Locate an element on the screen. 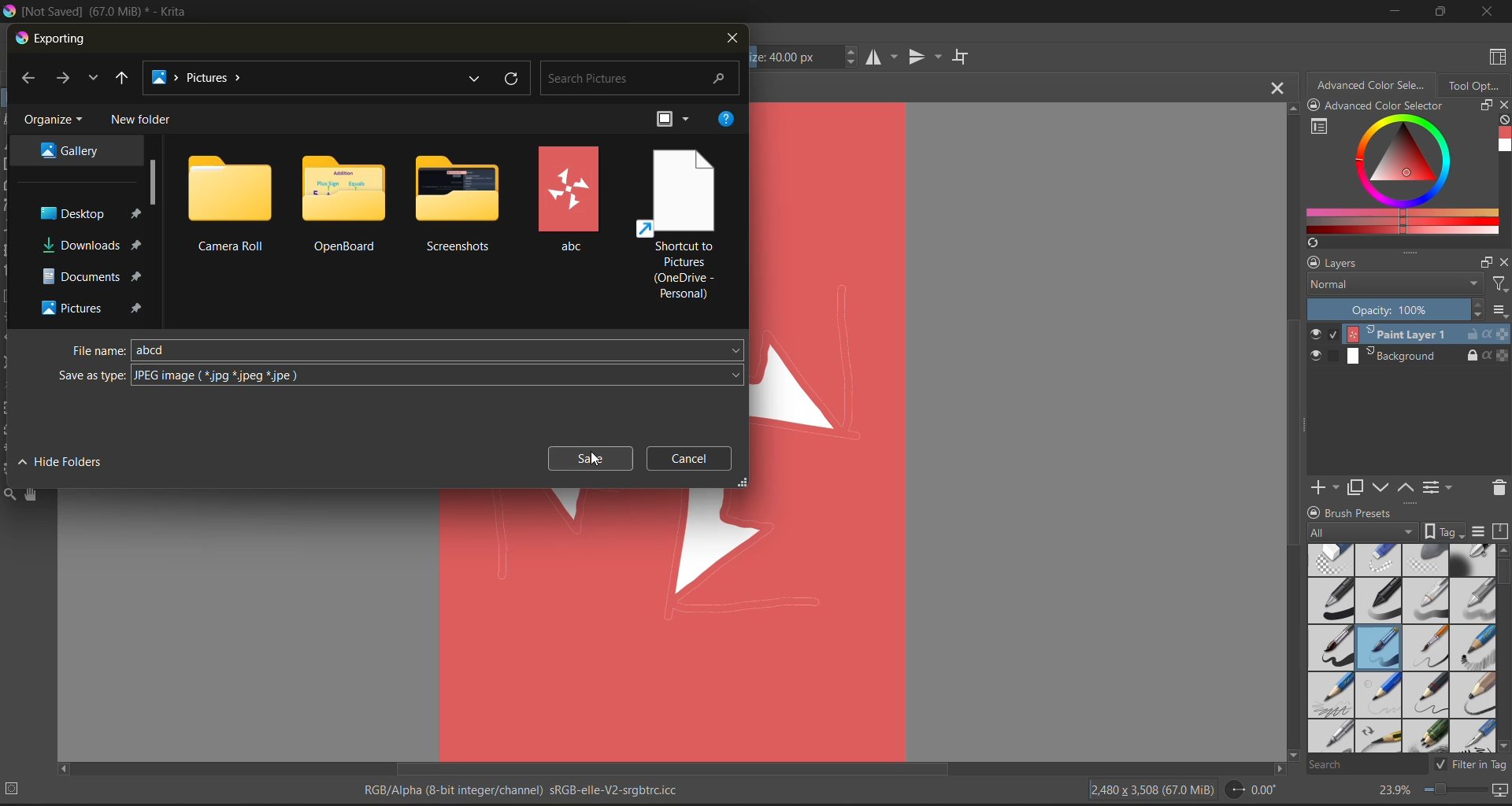  No selection is located at coordinates (17, 789).